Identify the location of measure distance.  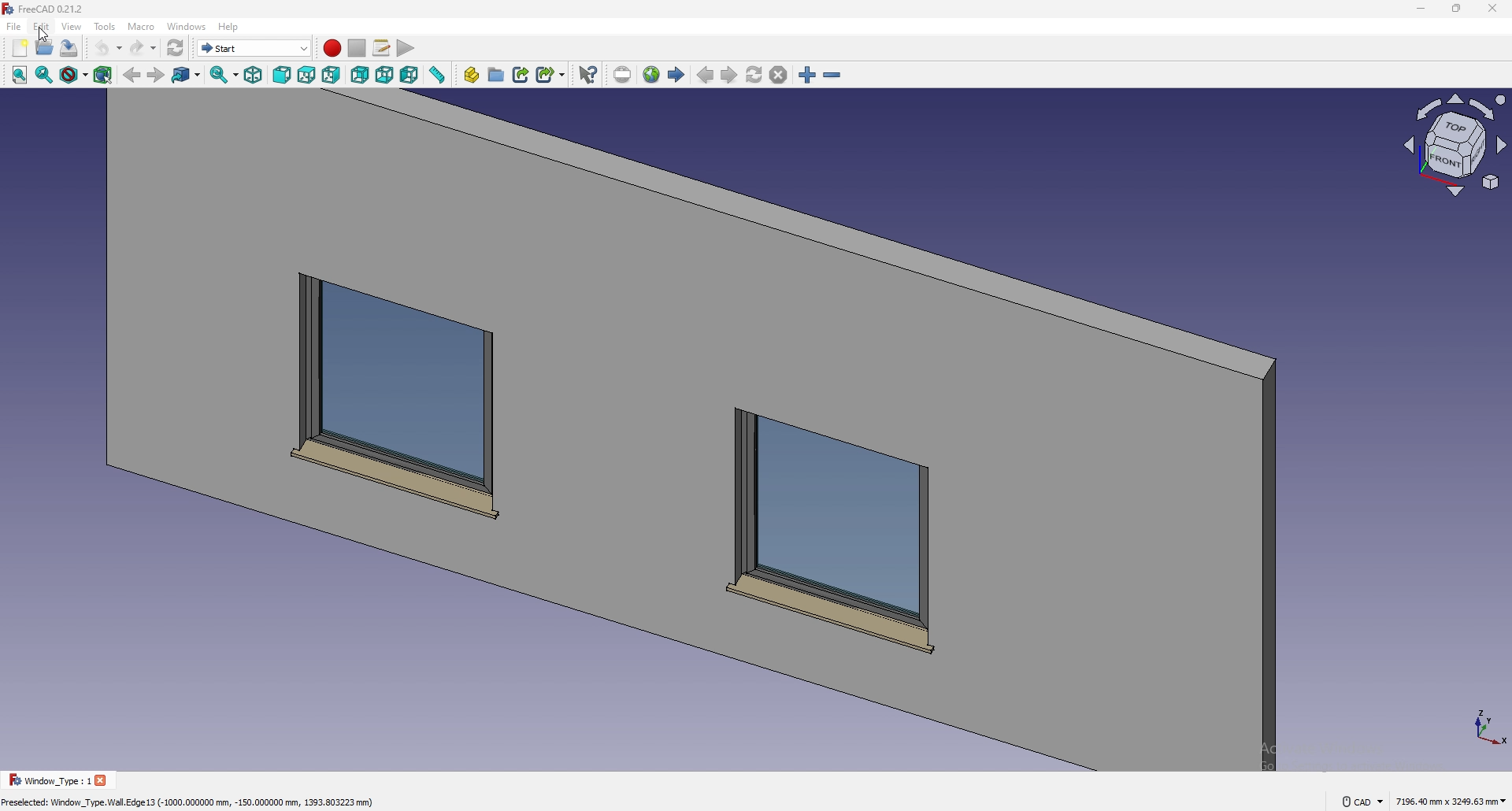
(438, 75).